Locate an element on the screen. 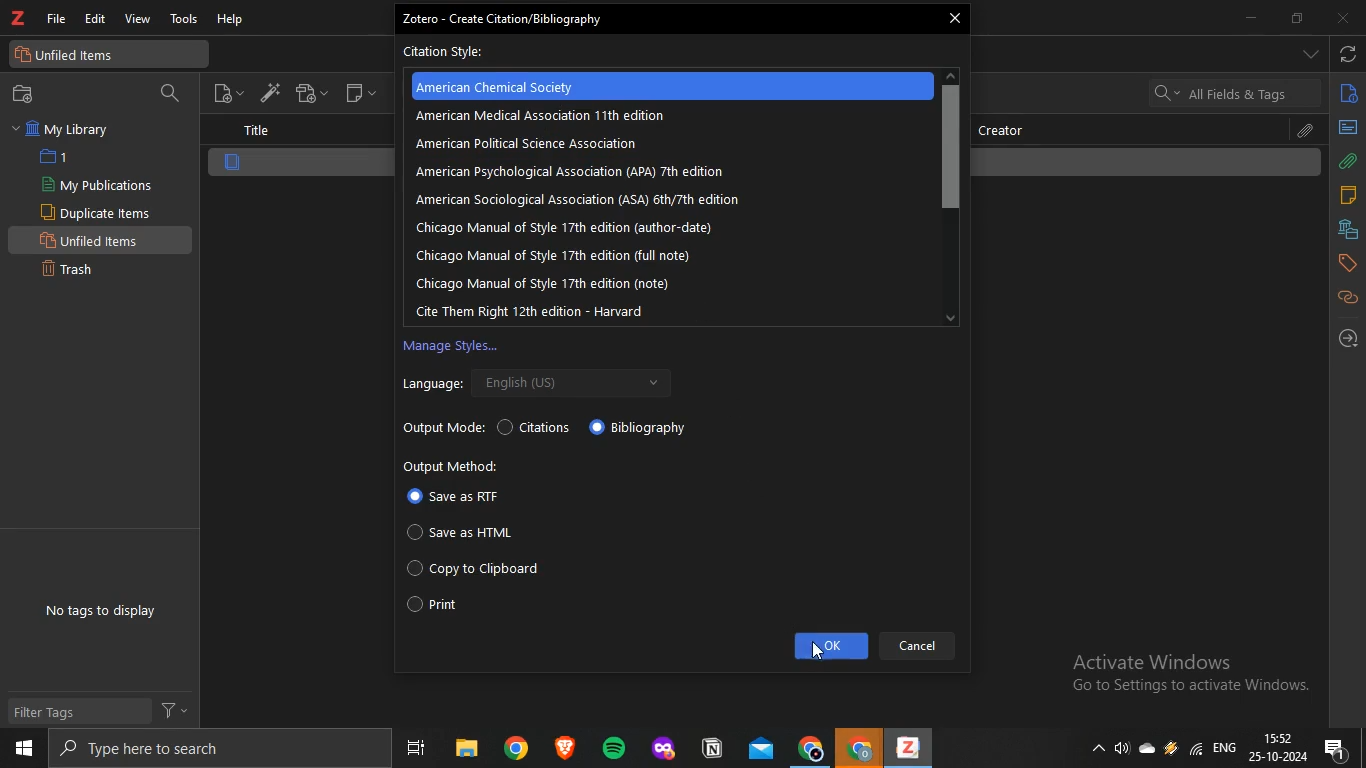 Image resolution: width=1366 pixels, height=768 pixels. Print is located at coordinates (452, 603).